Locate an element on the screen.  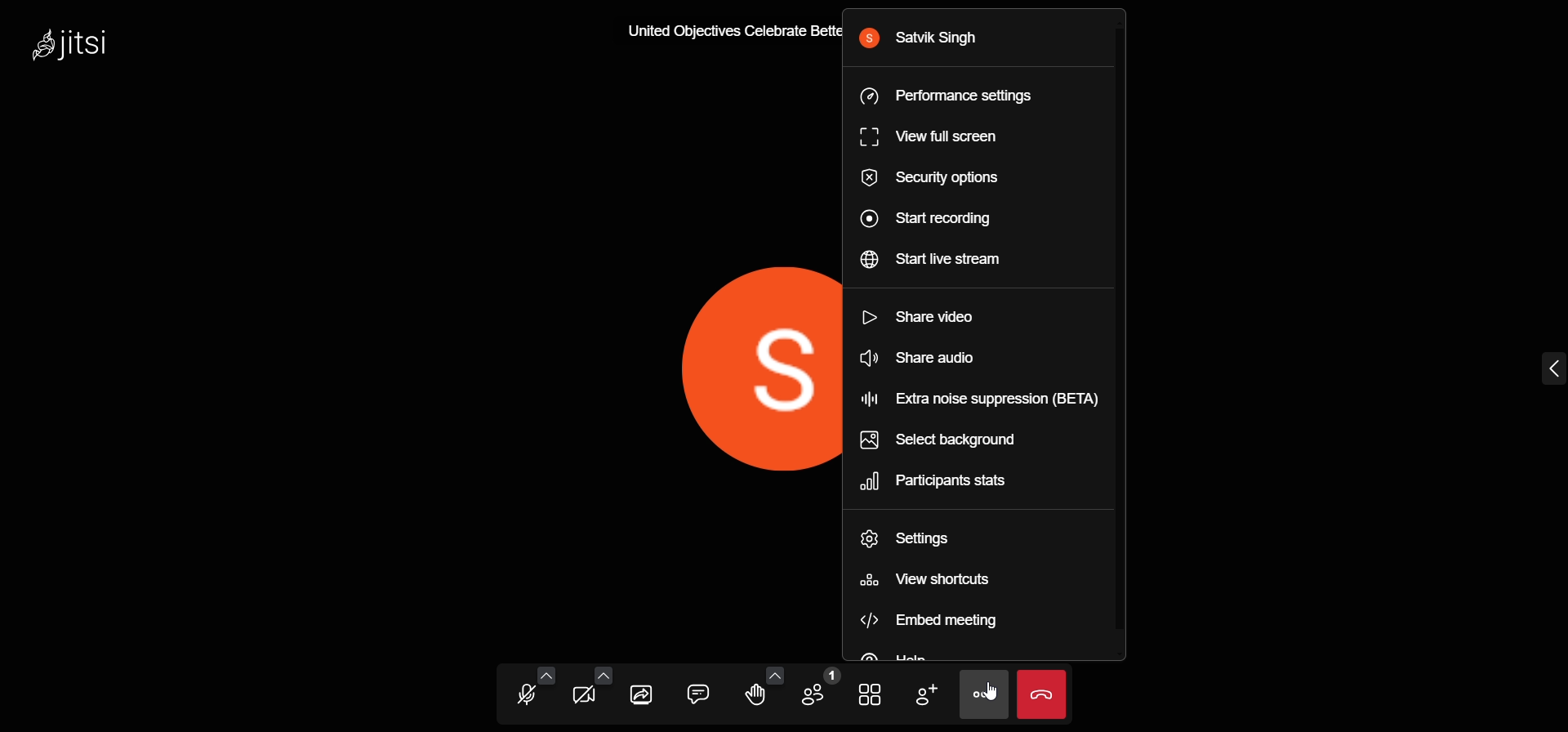
Satvik Singh is located at coordinates (928, 38).